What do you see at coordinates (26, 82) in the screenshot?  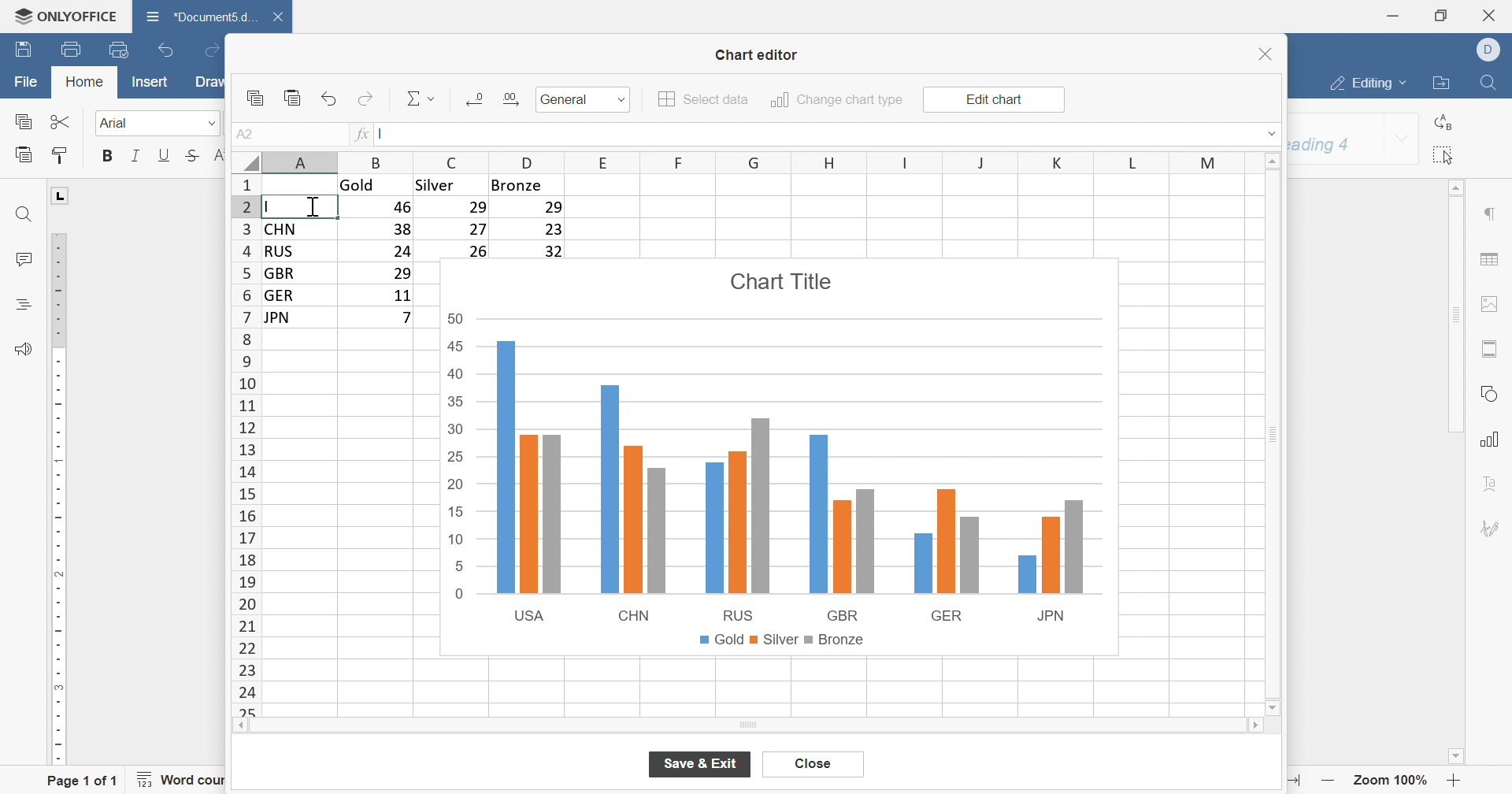 I see `file` at bounding box center [26, 82].